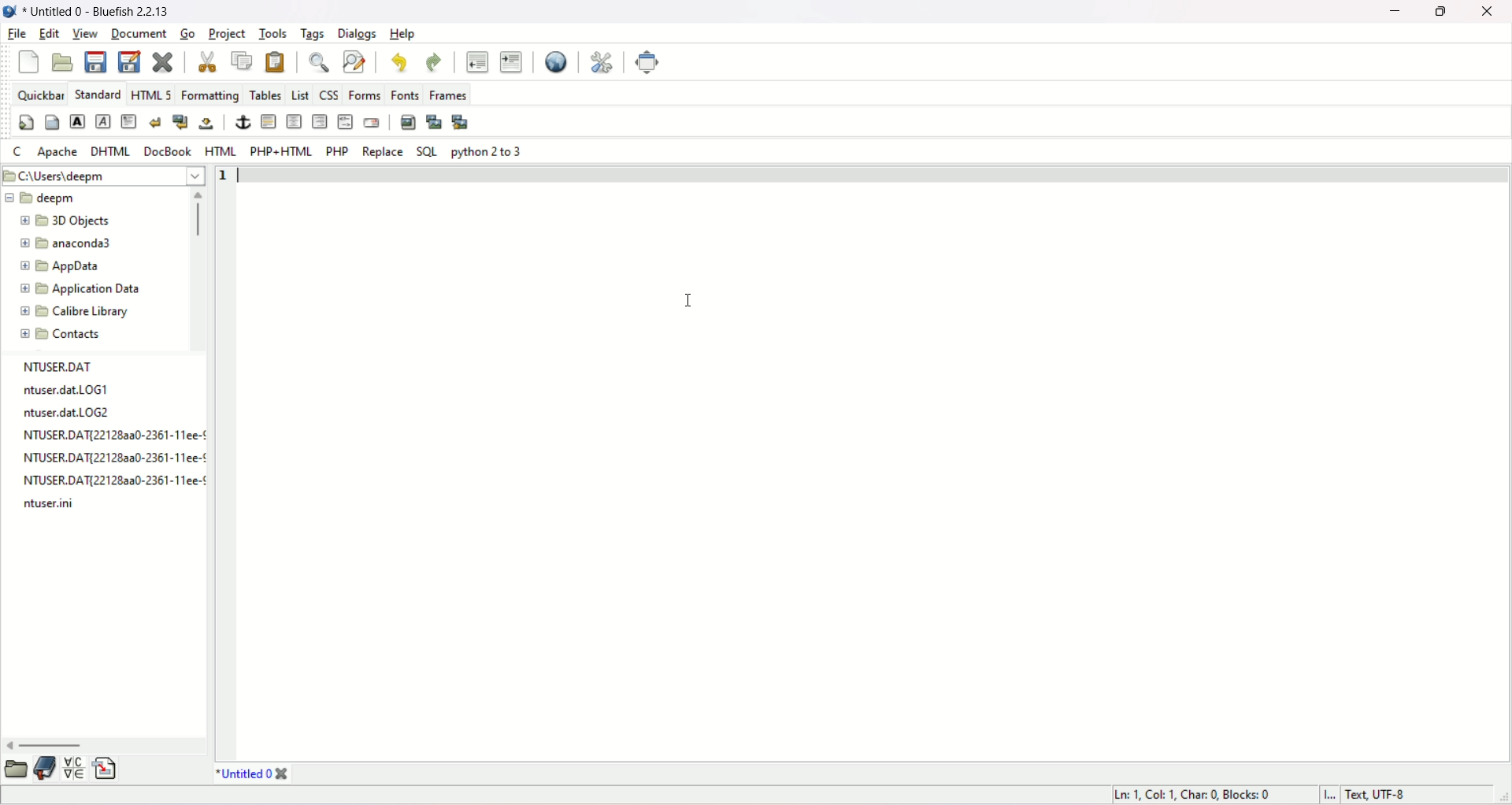 This screenshot has width=1512, height=805. What do you see at coordinates (488, 152) in the screenshot?
I see `python 2 to 3` at bounding box center [488, 152].